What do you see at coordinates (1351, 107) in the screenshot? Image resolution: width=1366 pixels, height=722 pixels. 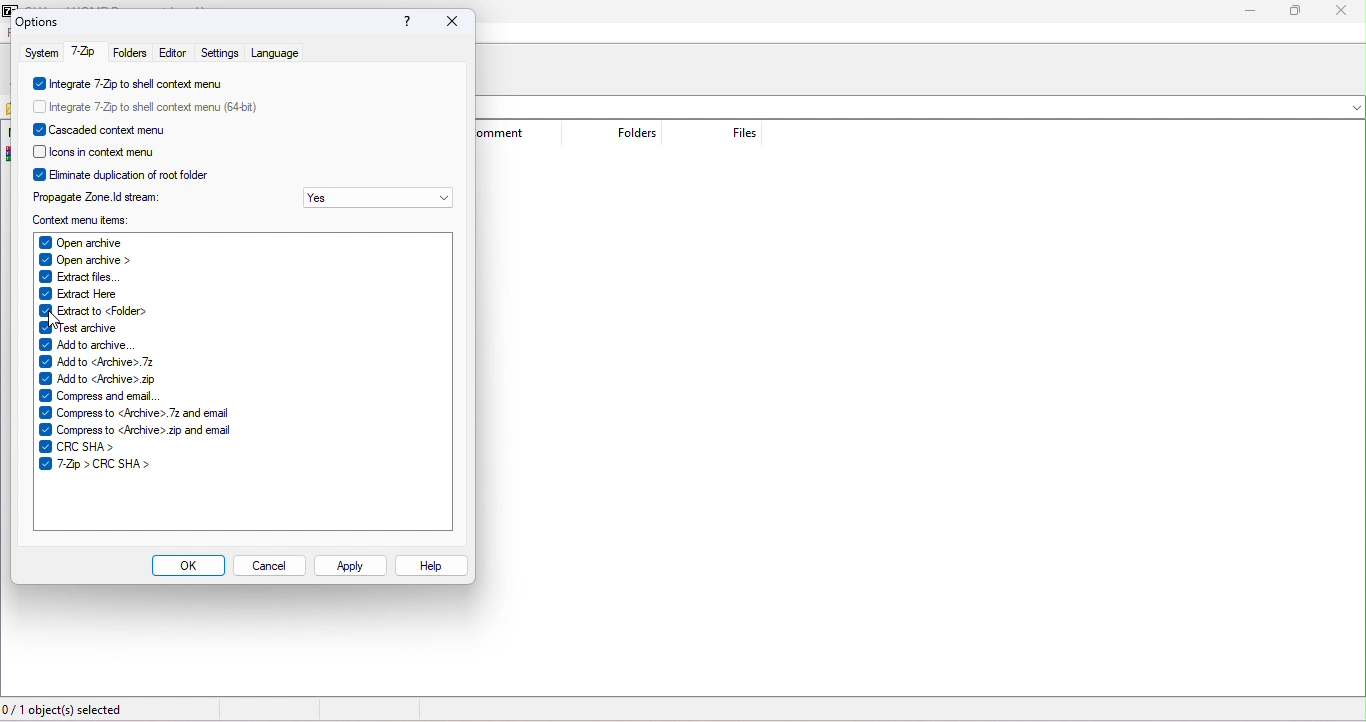 I see `drop down` at bounding box center [1351, 107].